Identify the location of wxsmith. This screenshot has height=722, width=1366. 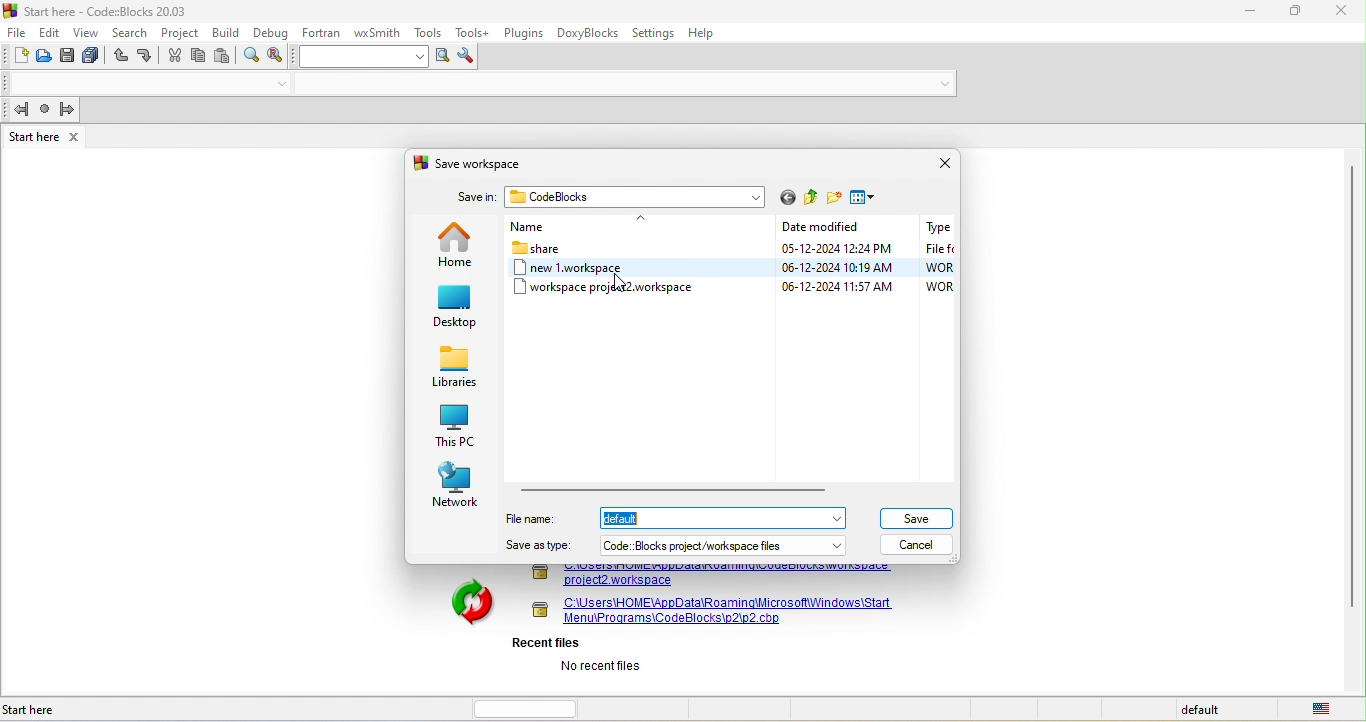
(379, 30).